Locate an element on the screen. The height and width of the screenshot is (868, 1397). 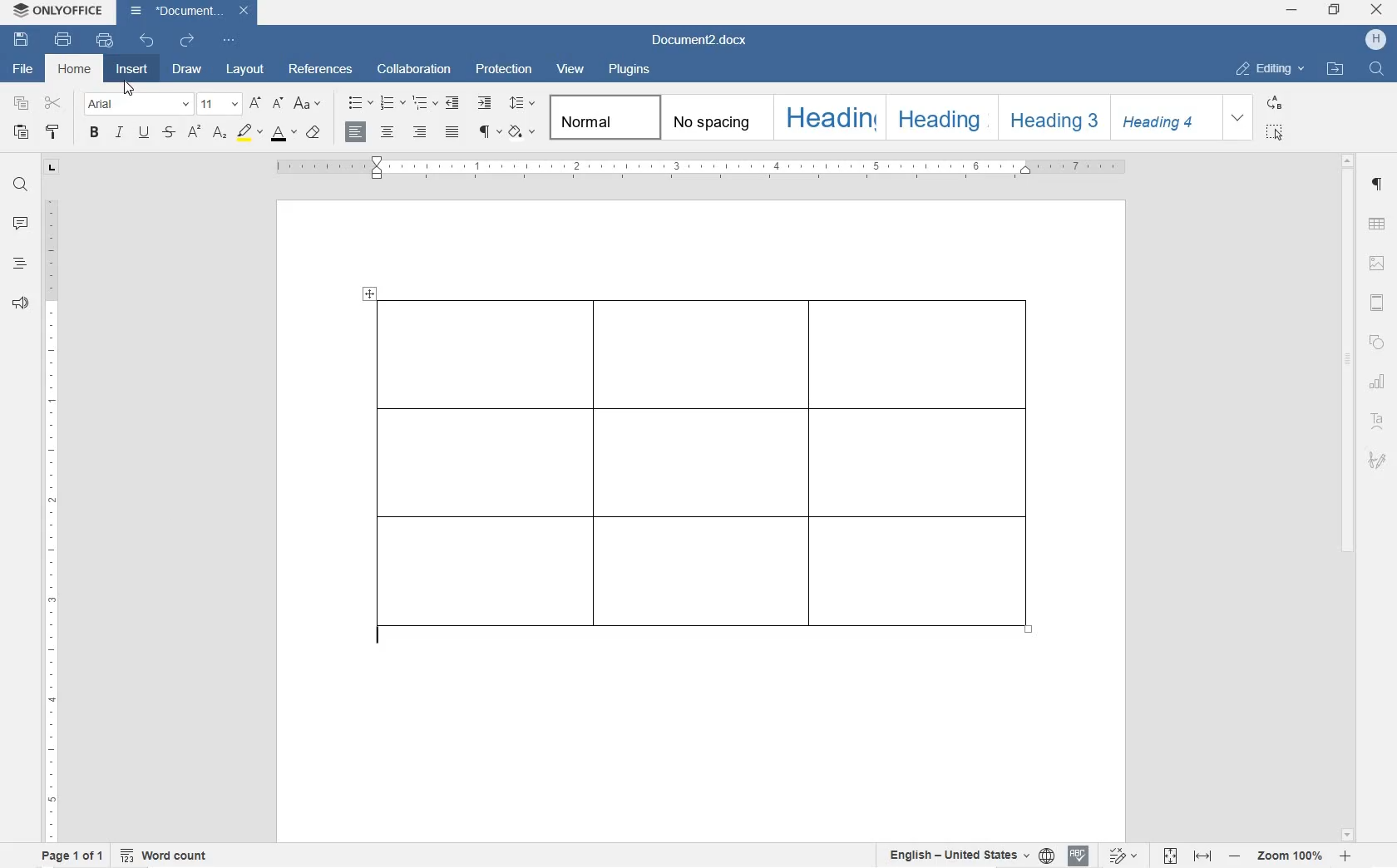
cut is located at coordinates (52, 104).